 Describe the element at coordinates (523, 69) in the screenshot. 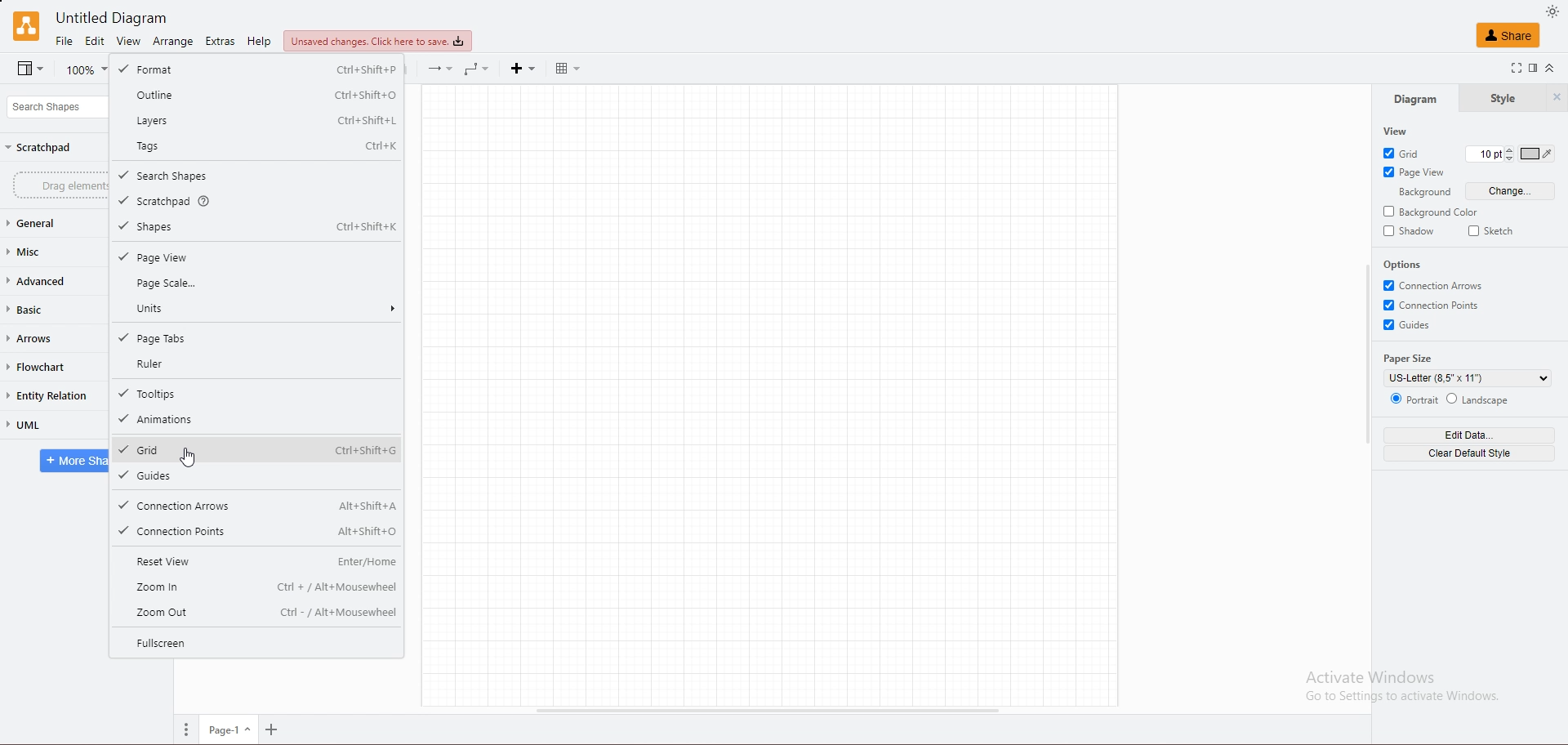

I see `insert` at that location.